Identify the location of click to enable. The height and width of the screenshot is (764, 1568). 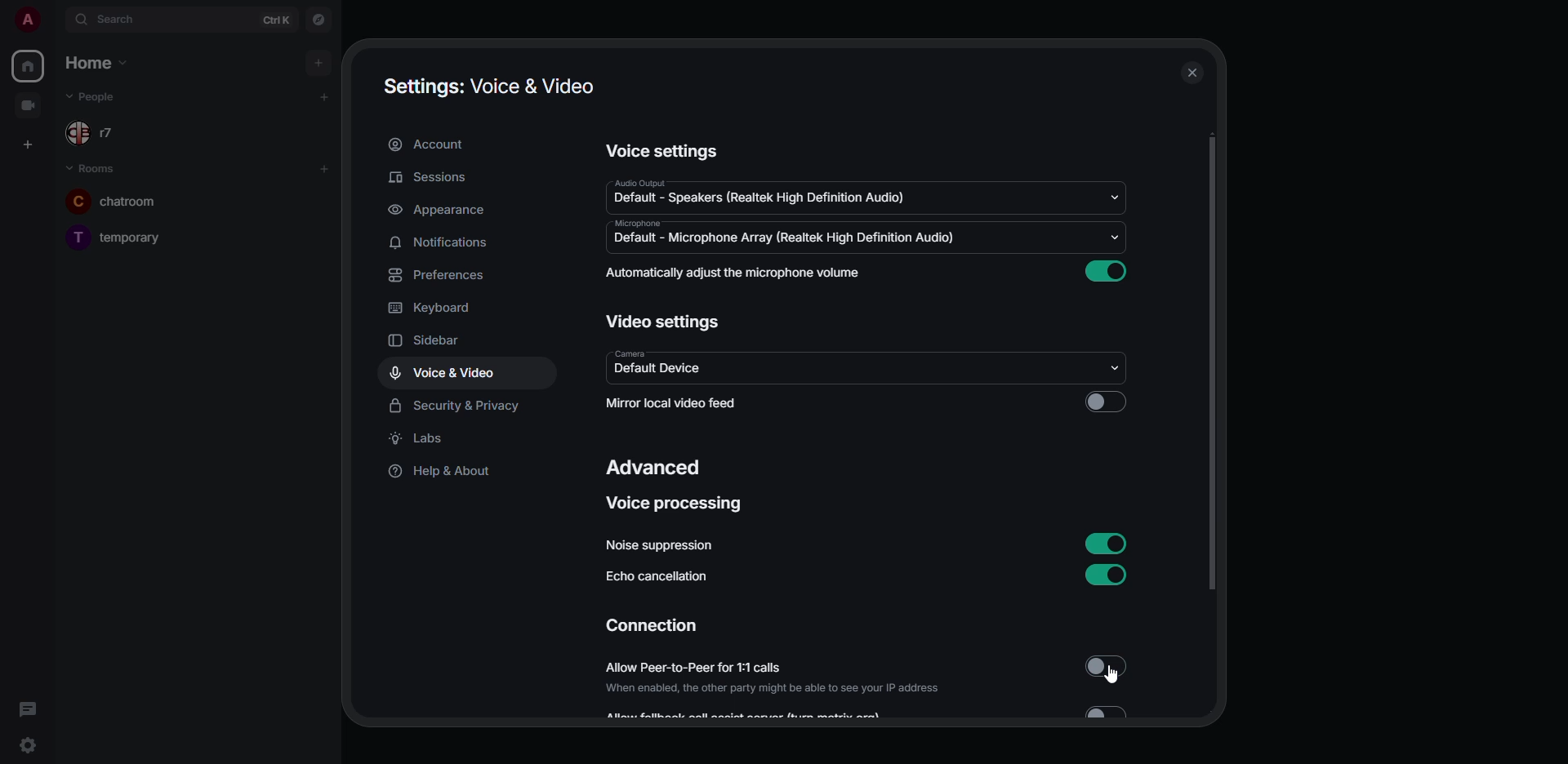
(1105, 402).